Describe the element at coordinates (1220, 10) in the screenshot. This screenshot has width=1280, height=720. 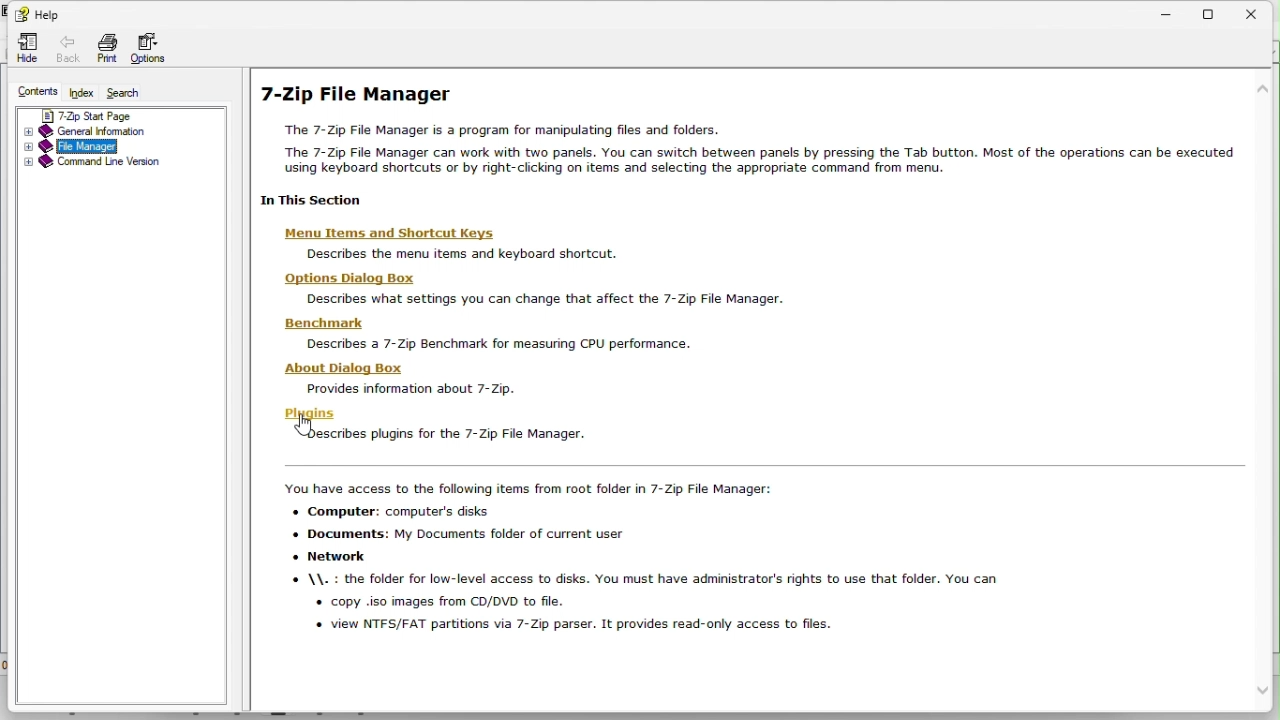
I see `Restore` at that location.